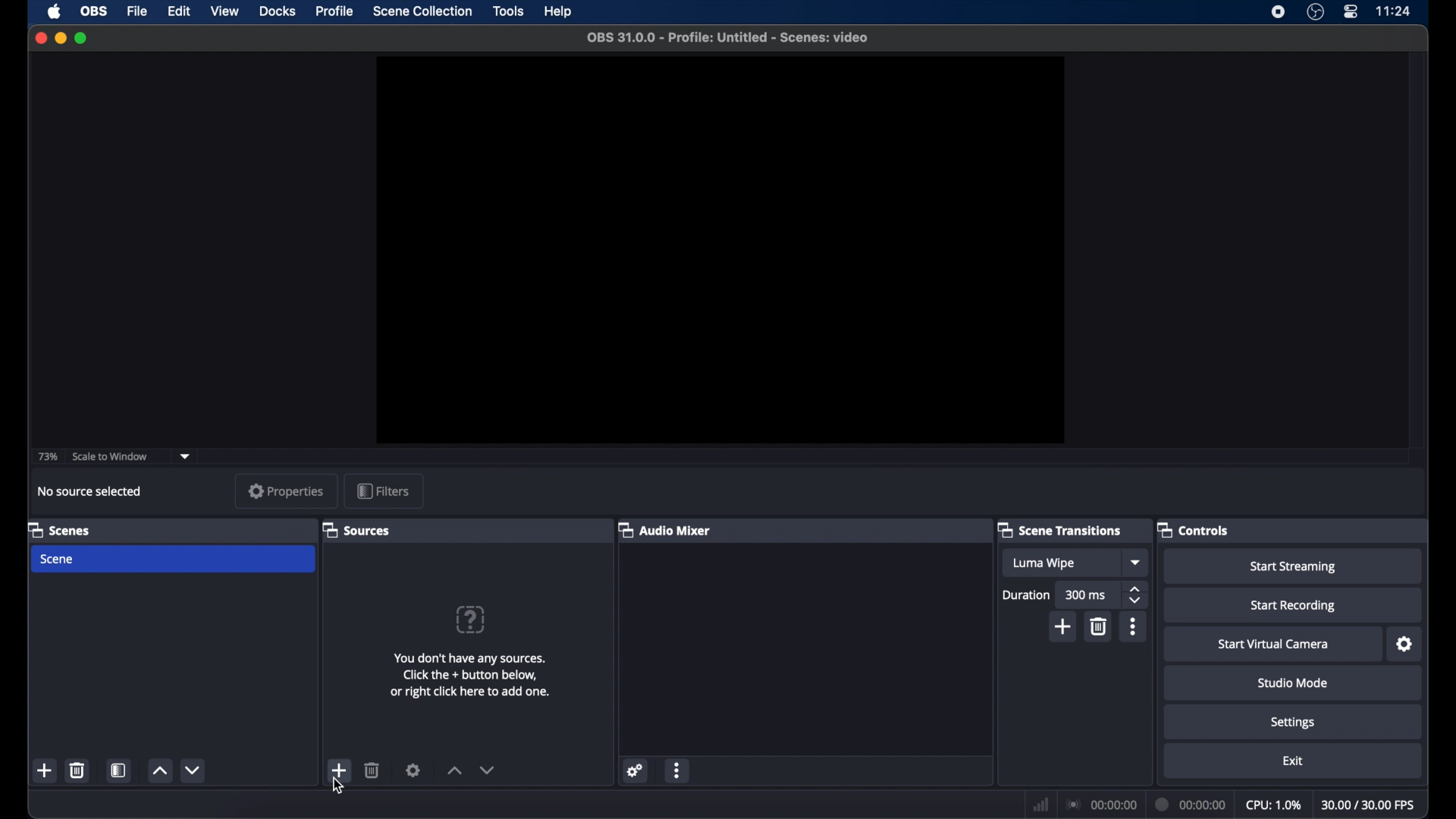 Image resolution: width=1456 pixels, height=819 pixels. I want to click on settings, so click(413, 770).